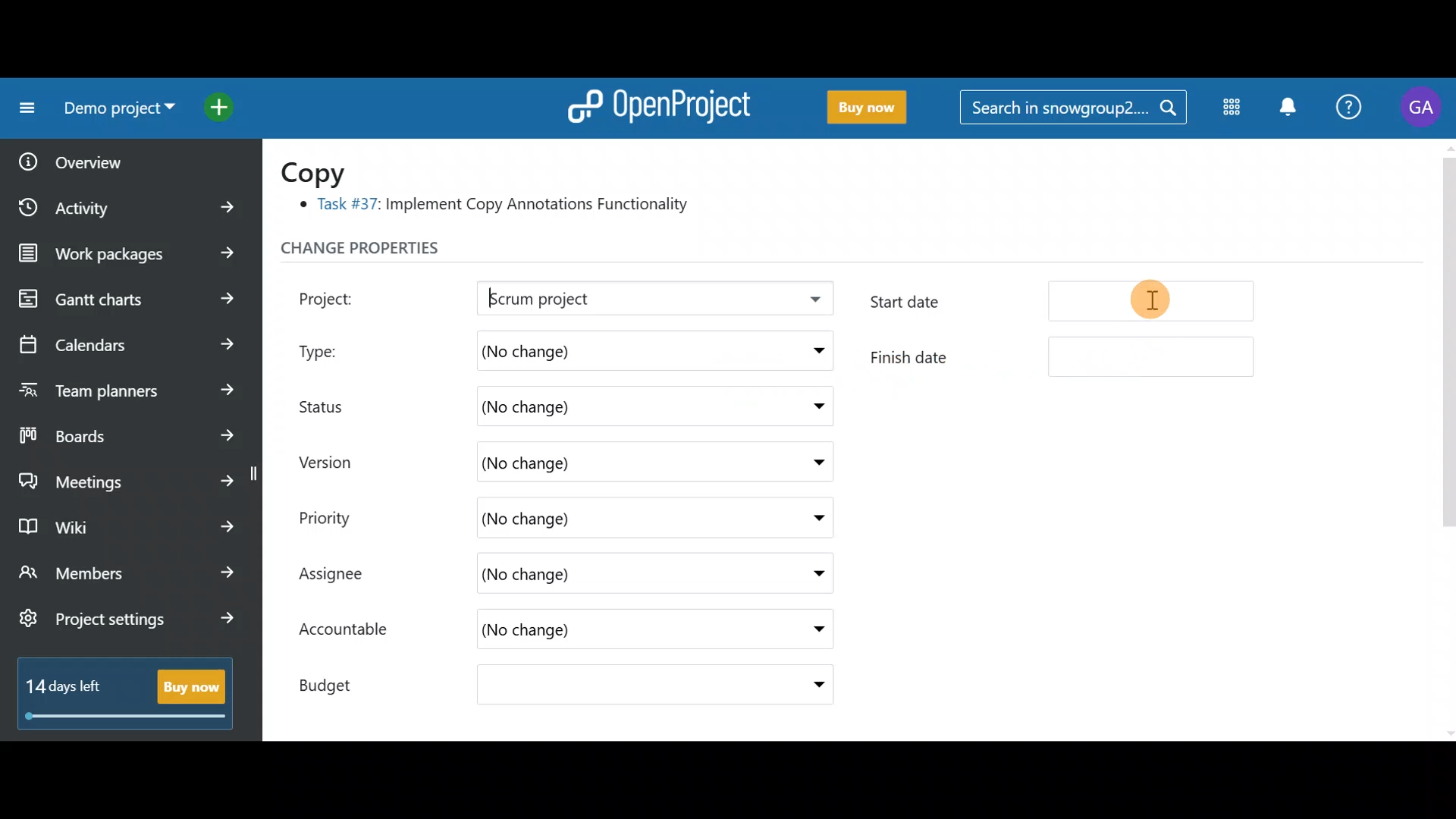 Image resolution: width=1456 pixels, height=819 pixels. Describe the element at coordinates (115, 157) in the screenshot. I see `Overview` at that location.